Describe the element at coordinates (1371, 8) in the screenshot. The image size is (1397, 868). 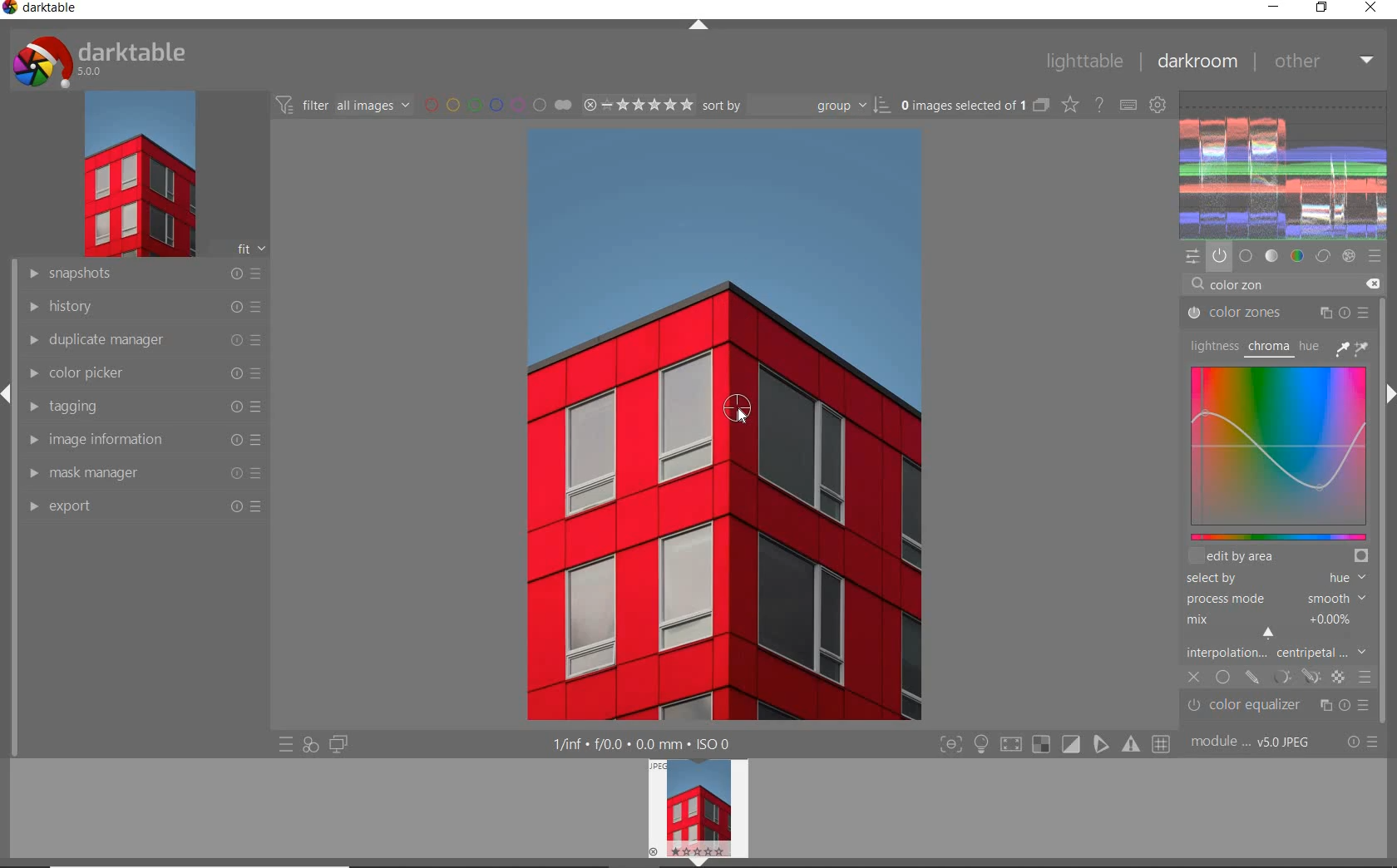
I see `close` at that location.